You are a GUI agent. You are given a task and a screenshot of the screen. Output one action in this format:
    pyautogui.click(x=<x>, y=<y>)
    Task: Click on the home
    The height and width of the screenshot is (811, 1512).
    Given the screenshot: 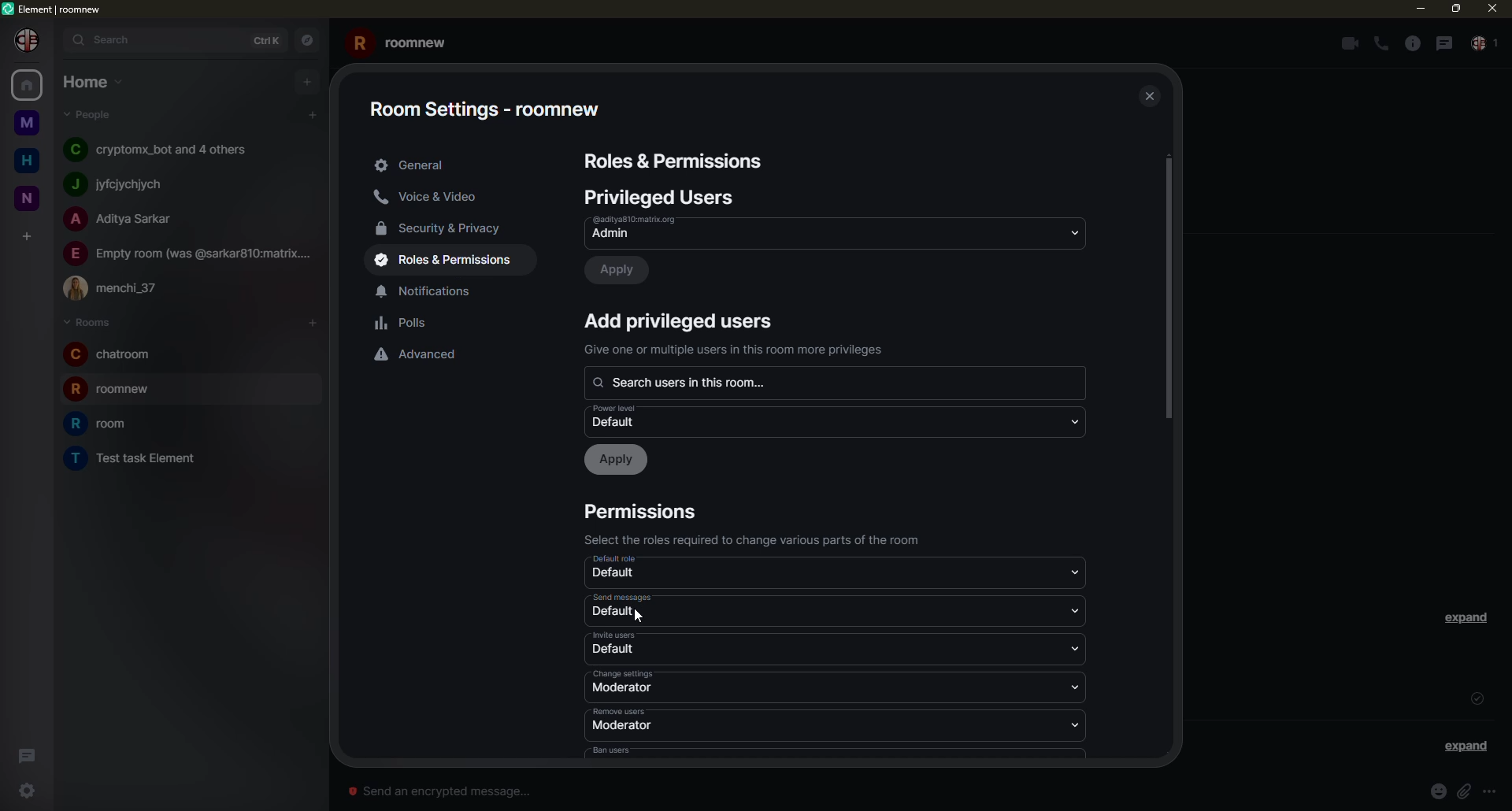 What is the action you would take?
    pyautogui.click(x=25, y=87)
    